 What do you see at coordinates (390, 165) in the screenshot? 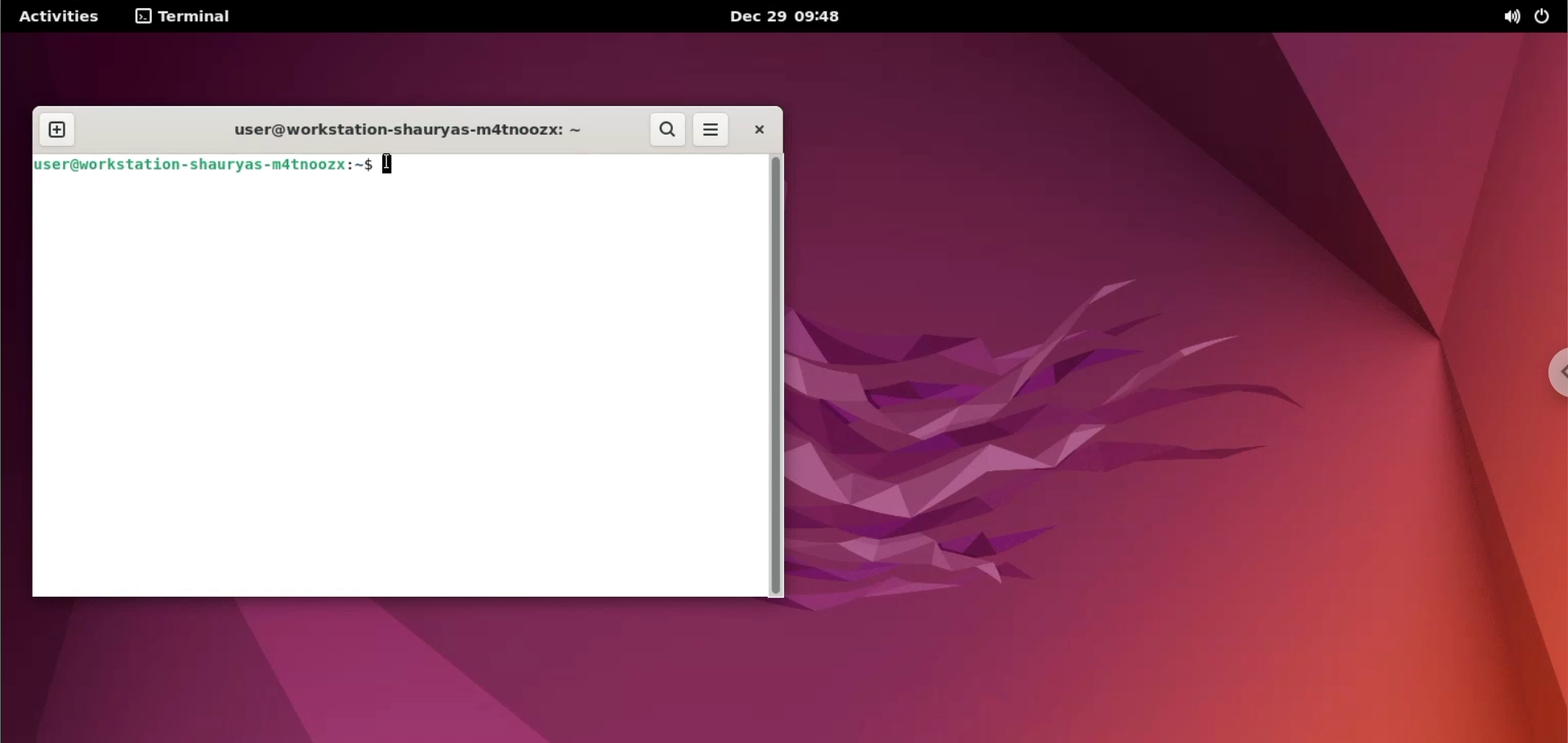
I see `typing cursor` at bounding box center [390, 165].